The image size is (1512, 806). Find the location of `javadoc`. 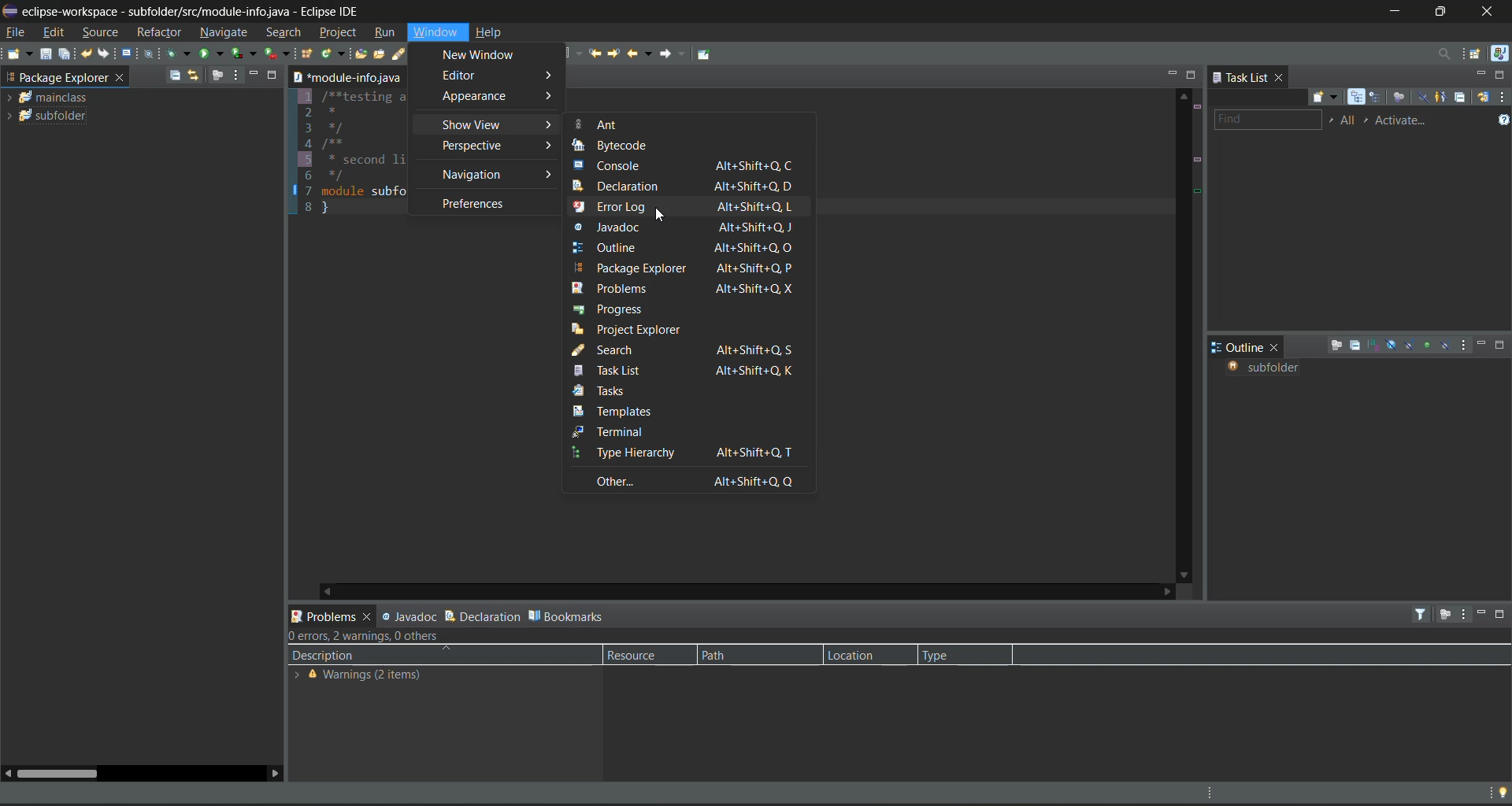

javadoc is located at coordinates (691, 227).